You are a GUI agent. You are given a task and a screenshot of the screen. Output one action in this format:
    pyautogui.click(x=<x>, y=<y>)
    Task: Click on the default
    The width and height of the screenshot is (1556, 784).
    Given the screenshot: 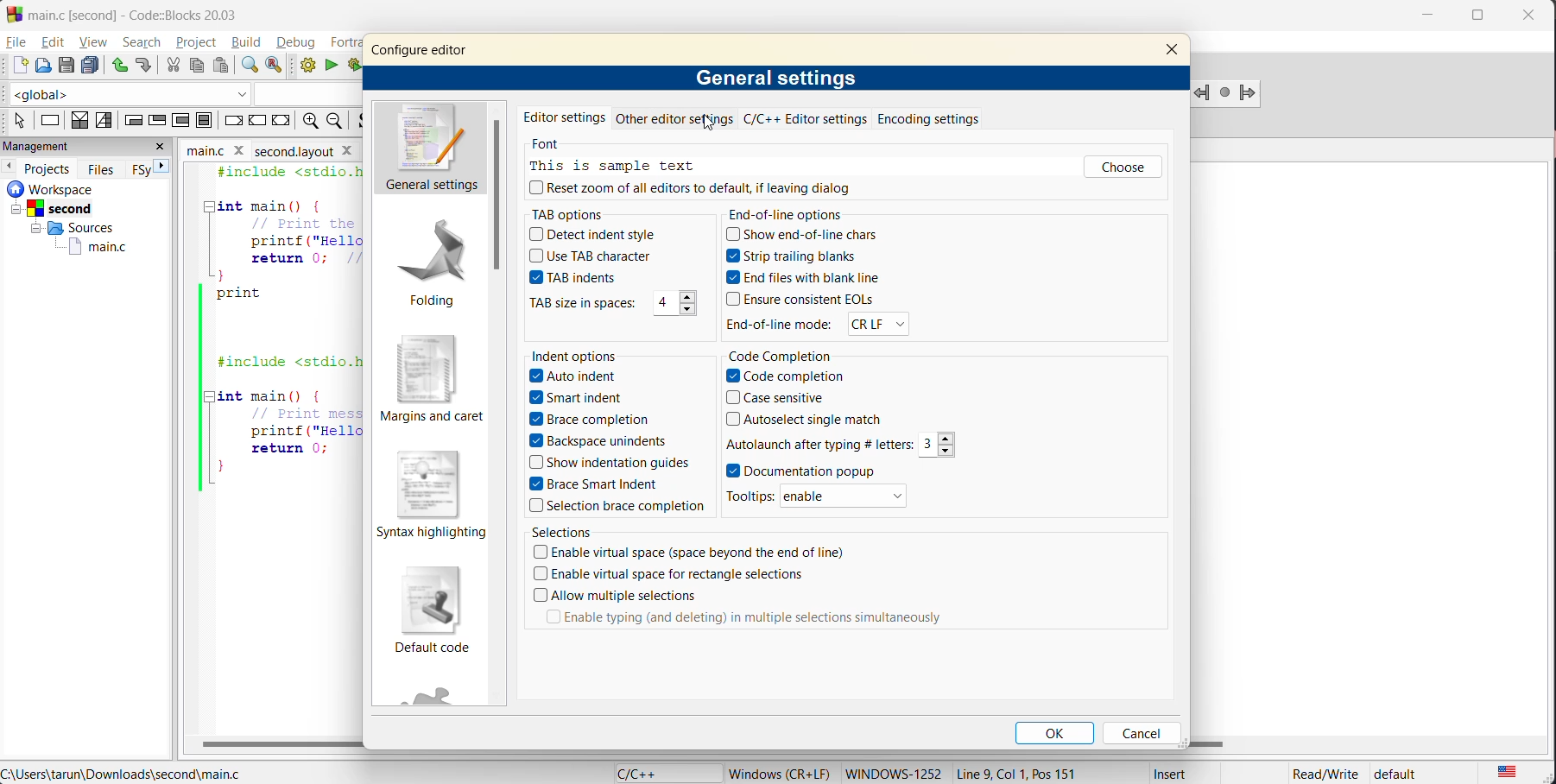 What is the action you would take?
    pyautogui.click(x=1415, y=774)
    